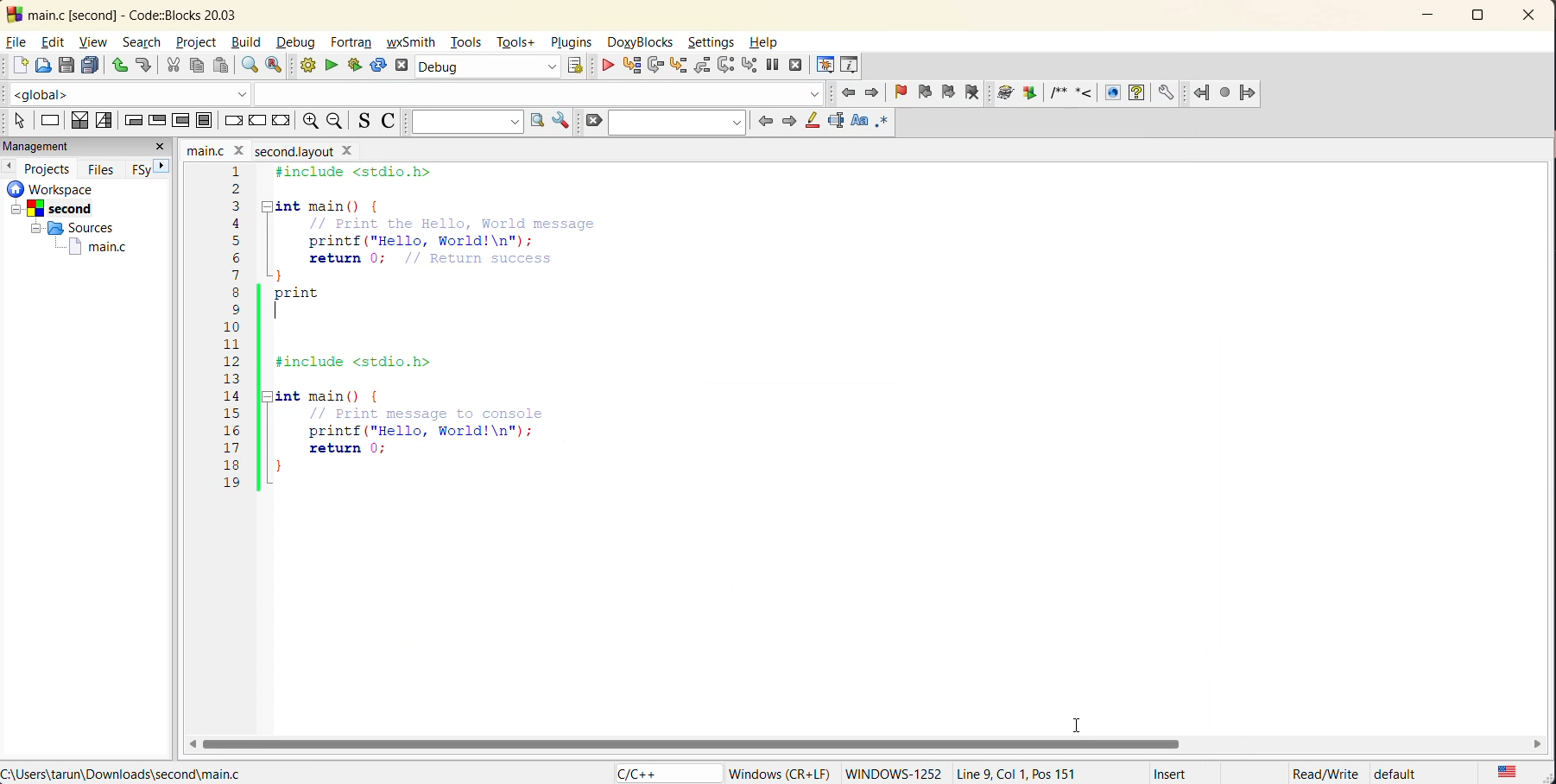 The height and width of the screenshot is (784, 1556). I want to click on show options window, so click(561, 123).